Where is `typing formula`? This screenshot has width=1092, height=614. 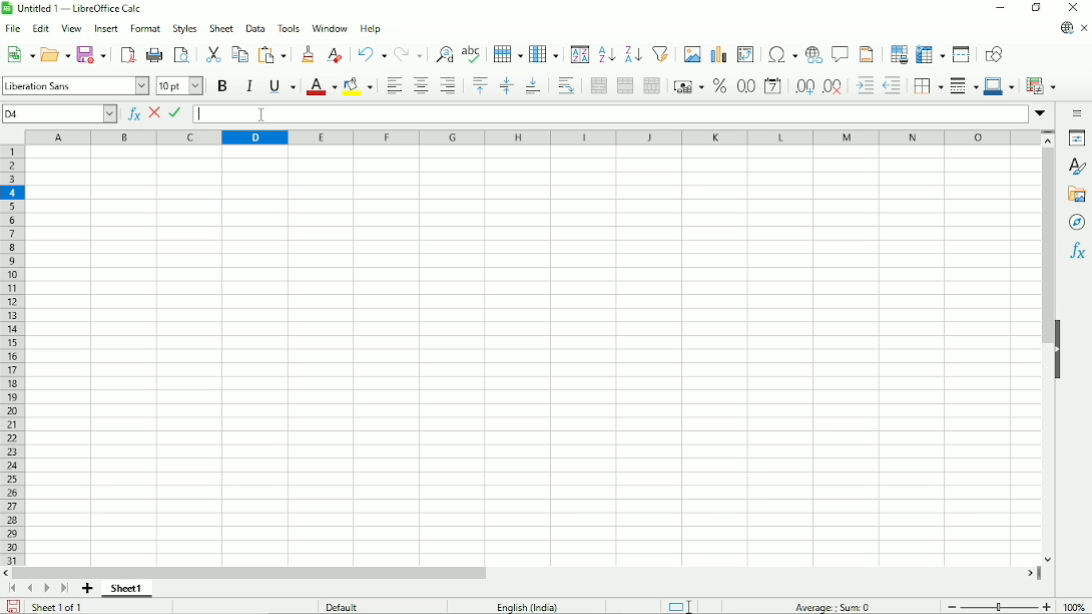
typing formula is located at coordinates (202, 114).